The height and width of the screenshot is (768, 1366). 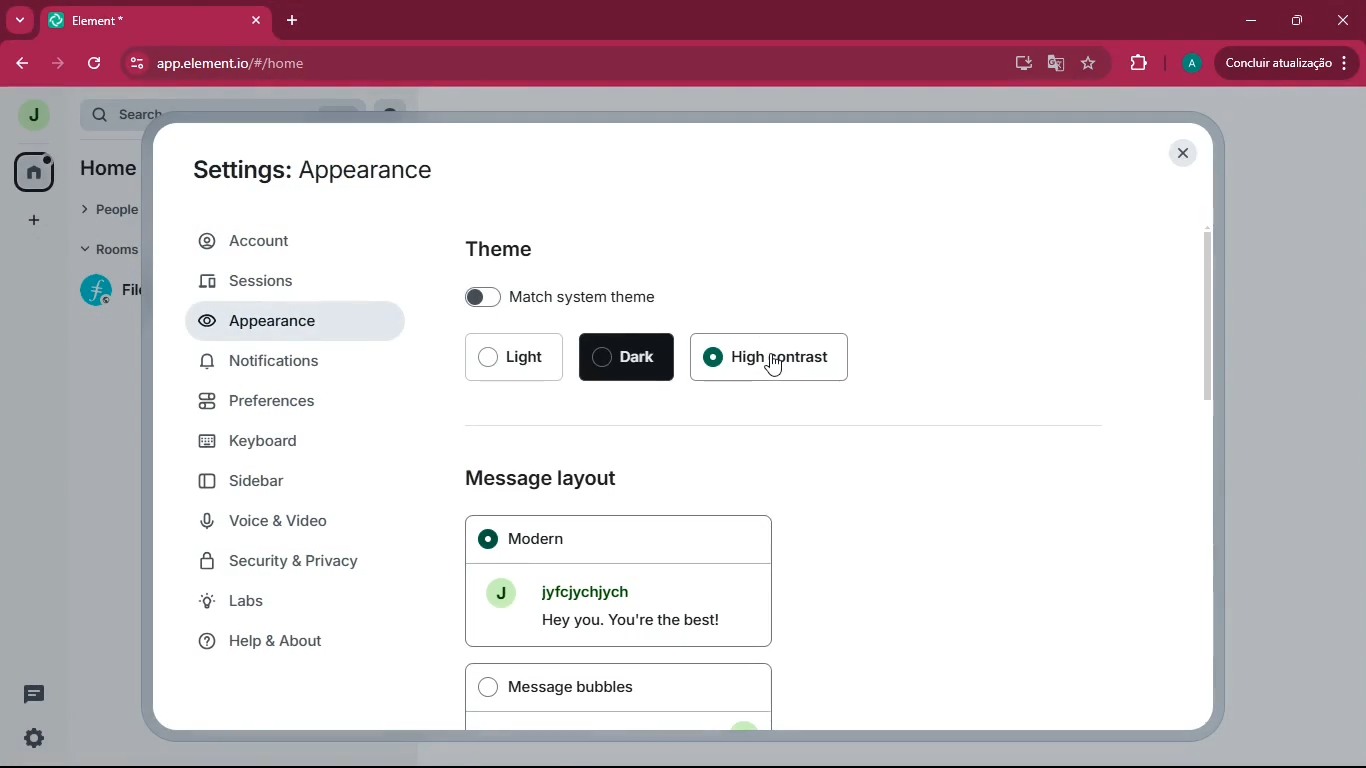 I want to click on desktop, so click(x=1020, y=64).